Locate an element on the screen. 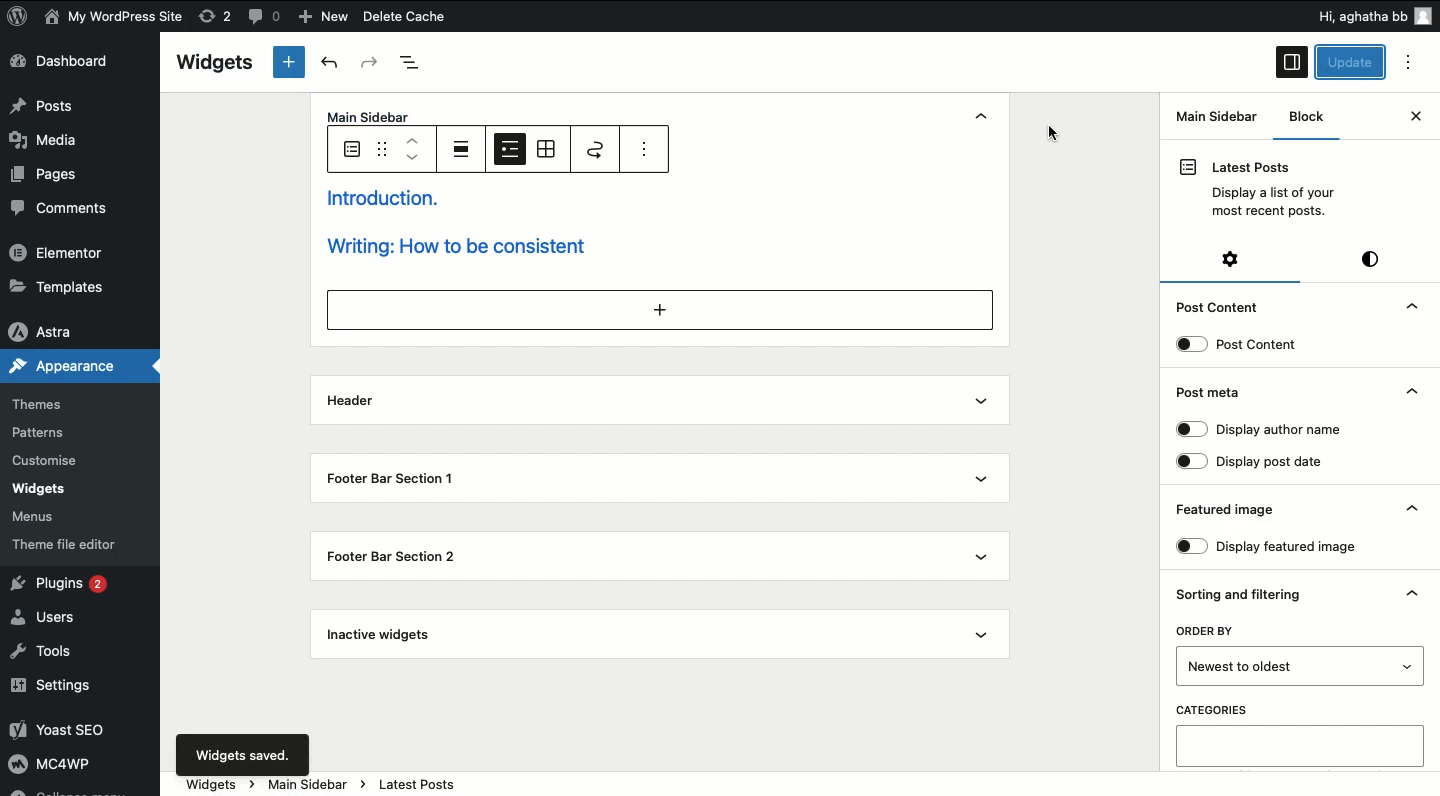 The height and width of the screenshot is (796, 1440). Dashboard is located at coordinates (69, 61).